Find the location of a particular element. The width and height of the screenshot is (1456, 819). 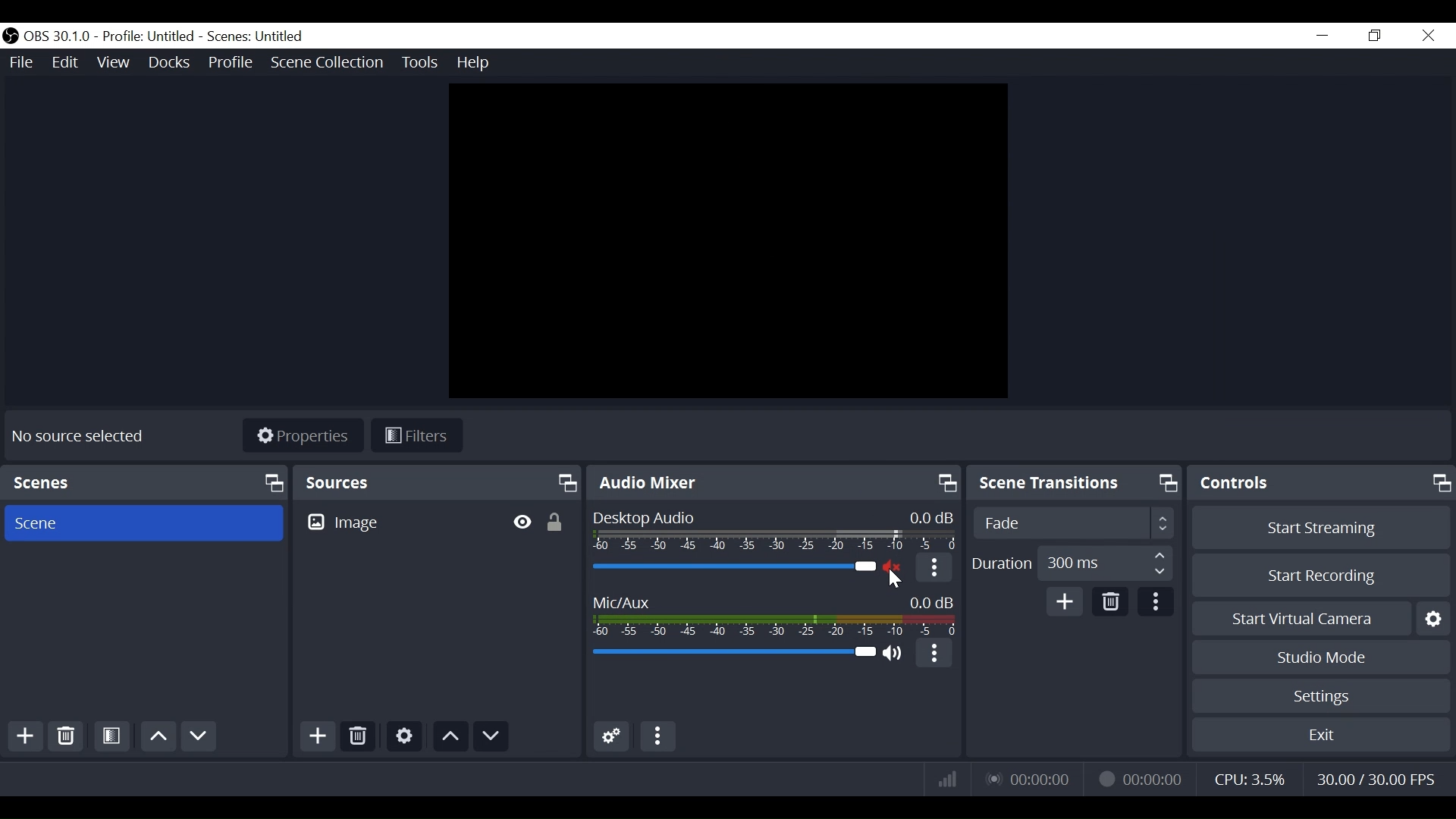

Filters is located at coordinates (416, 436).